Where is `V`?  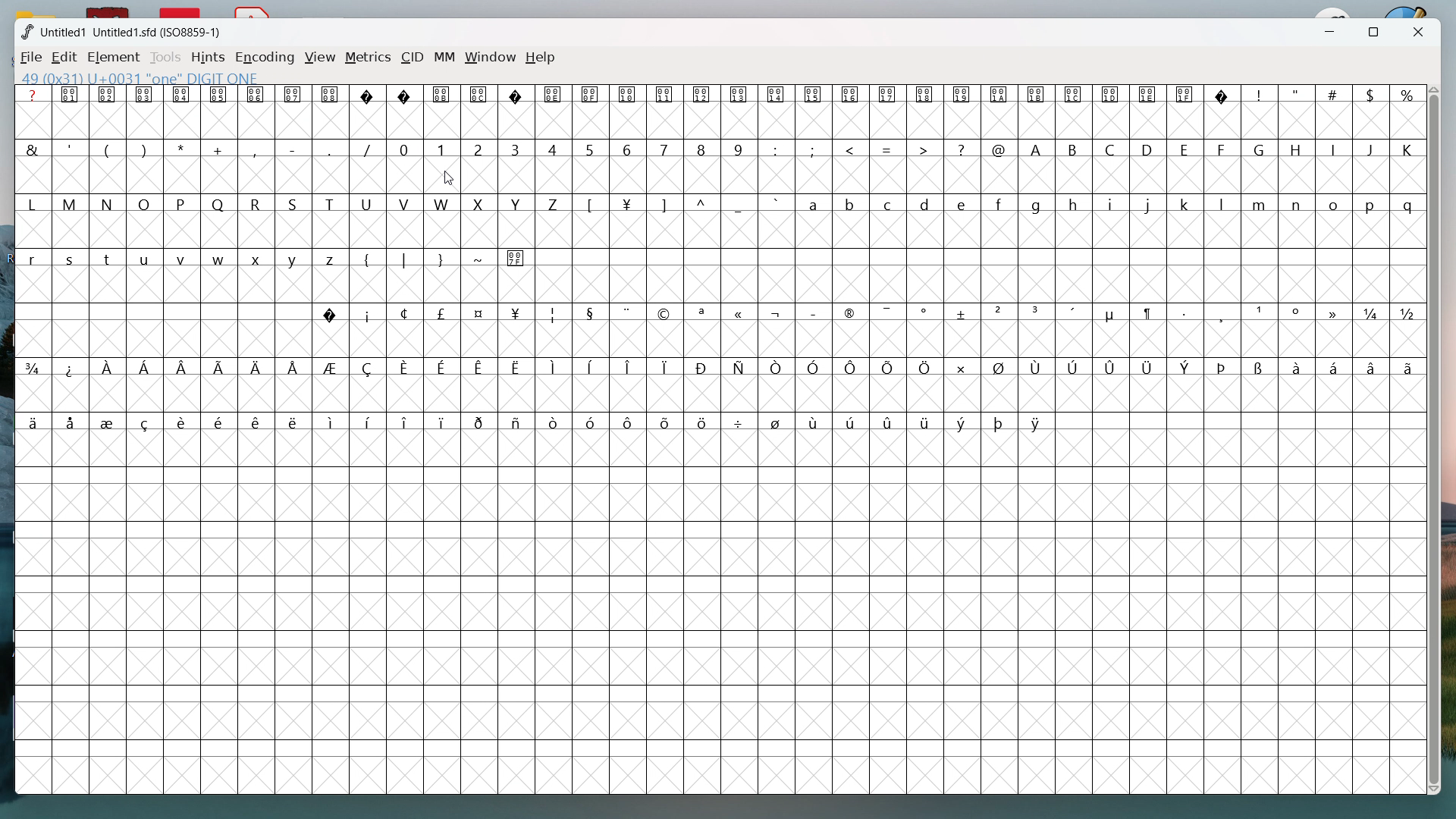
V is located at coordinates (403, 202).